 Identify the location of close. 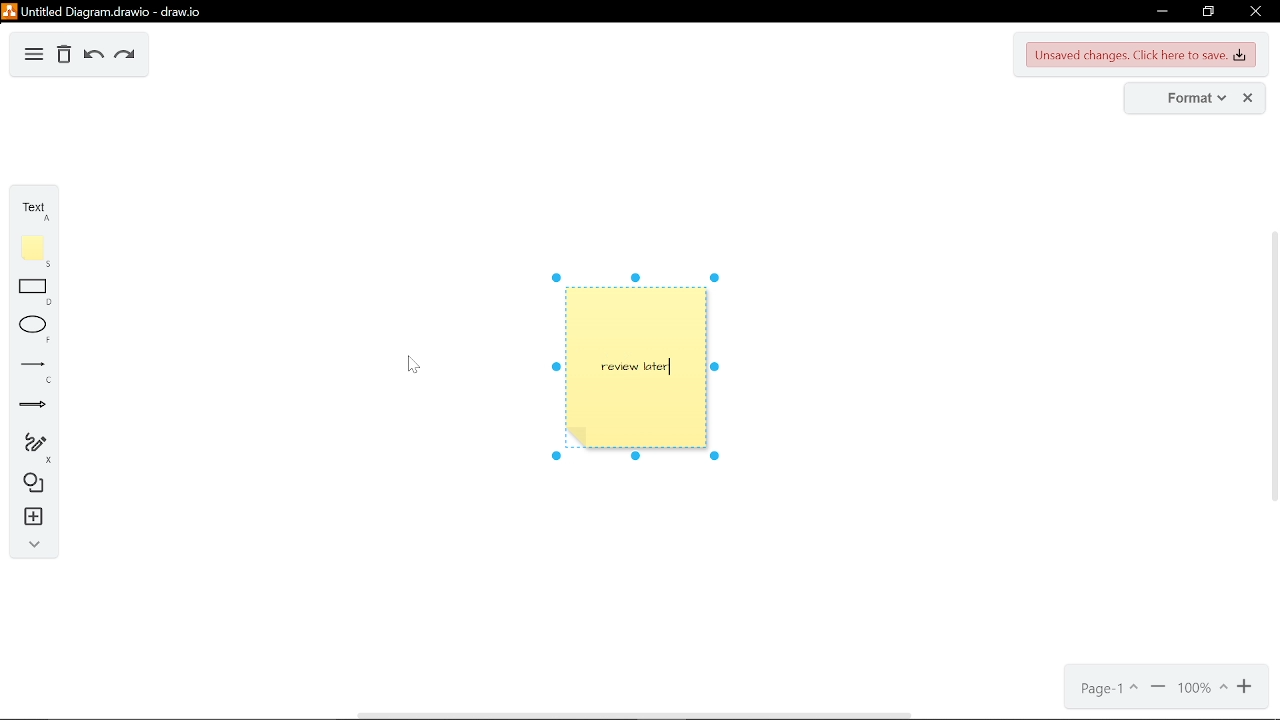
(1249, 98).